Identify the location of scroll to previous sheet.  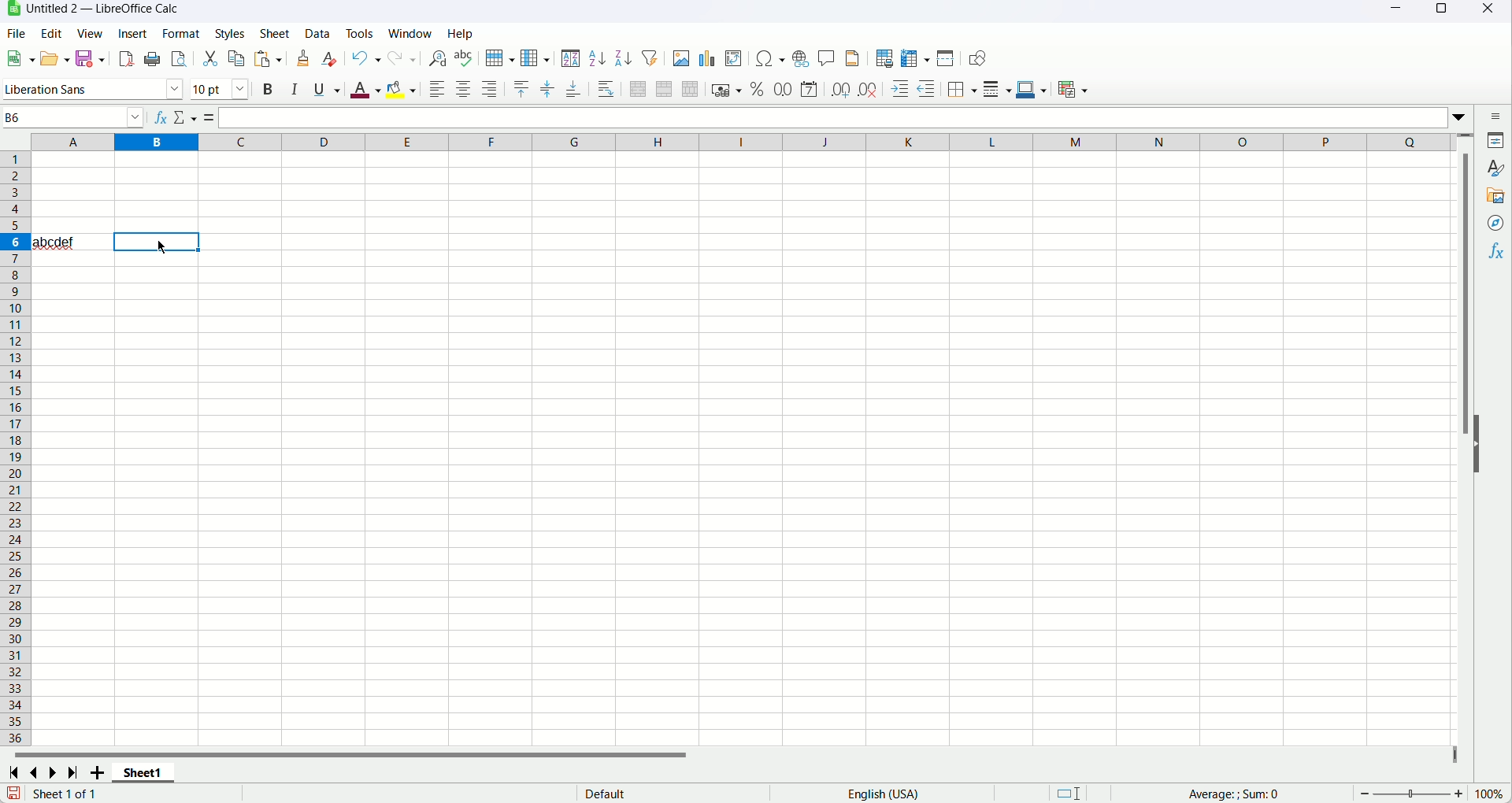
(36, 771).